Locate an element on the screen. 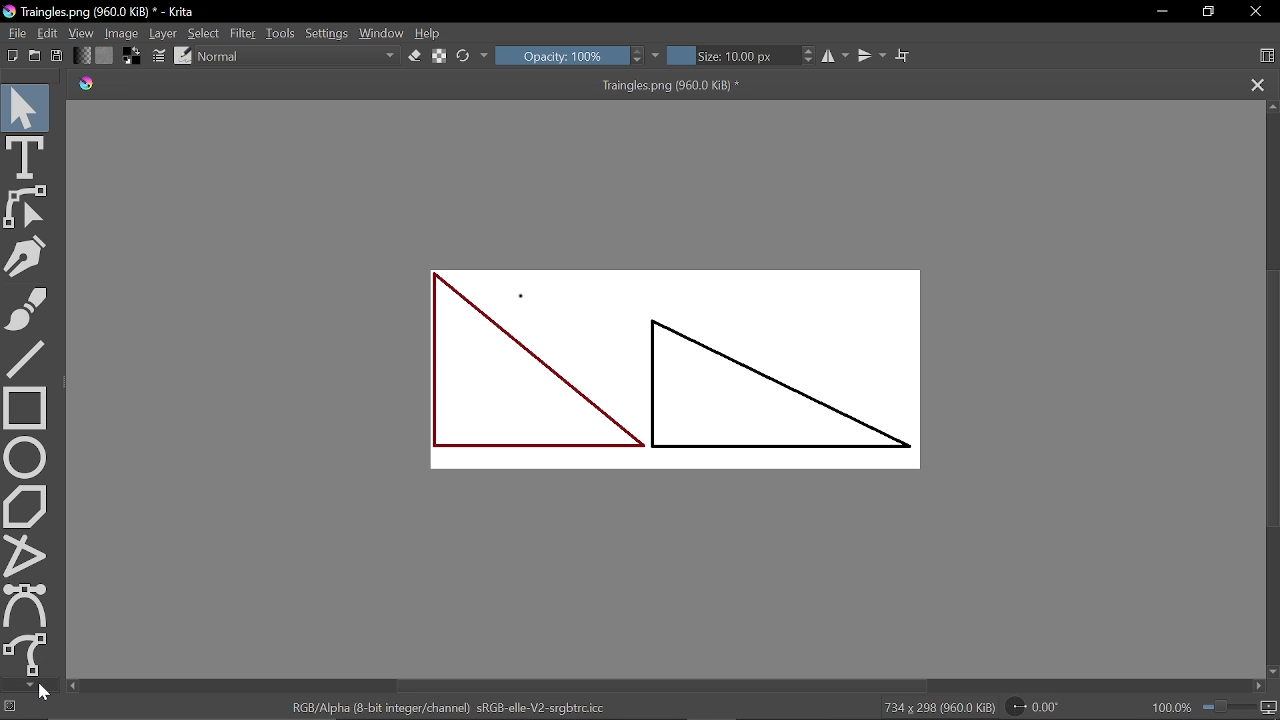 The width and height of the screenshot is (1280, 720). Move down in tools is located at coordinates (32, 685).